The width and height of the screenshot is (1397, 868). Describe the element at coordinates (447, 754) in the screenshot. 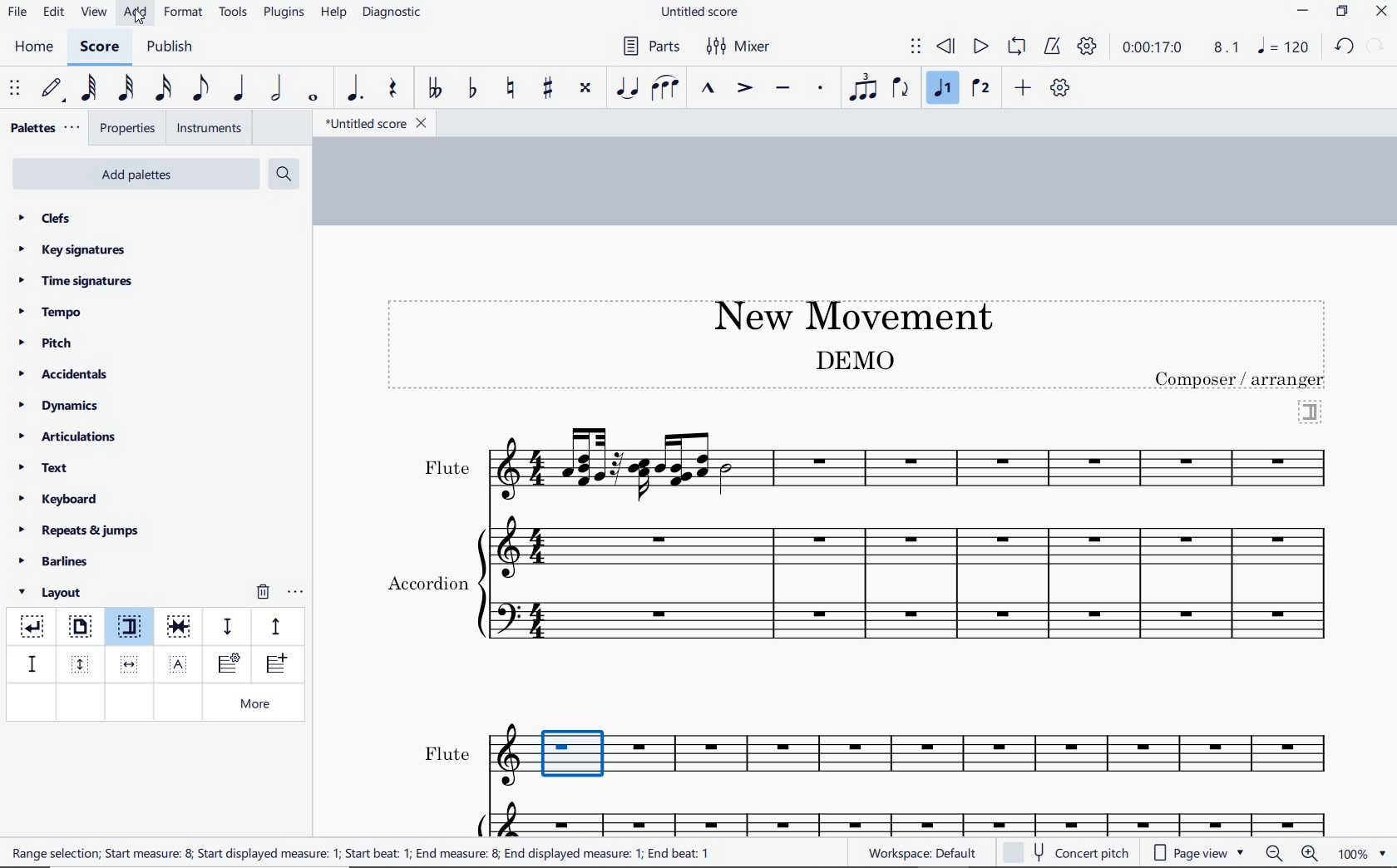

I see `text` at that location.